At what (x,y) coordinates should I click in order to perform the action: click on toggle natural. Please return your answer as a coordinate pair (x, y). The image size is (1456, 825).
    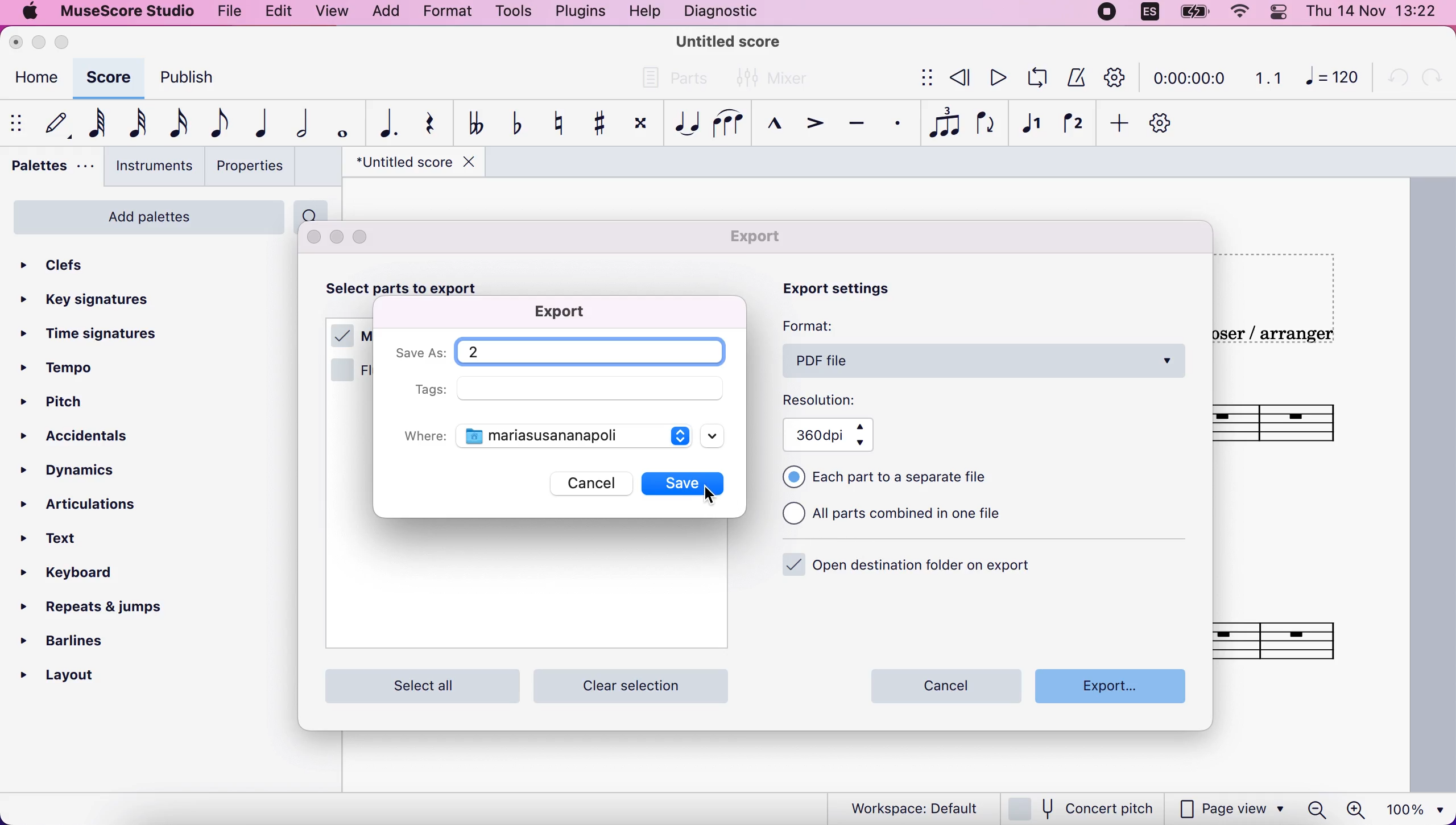
    Looking at the image, I should click on (556, 126).